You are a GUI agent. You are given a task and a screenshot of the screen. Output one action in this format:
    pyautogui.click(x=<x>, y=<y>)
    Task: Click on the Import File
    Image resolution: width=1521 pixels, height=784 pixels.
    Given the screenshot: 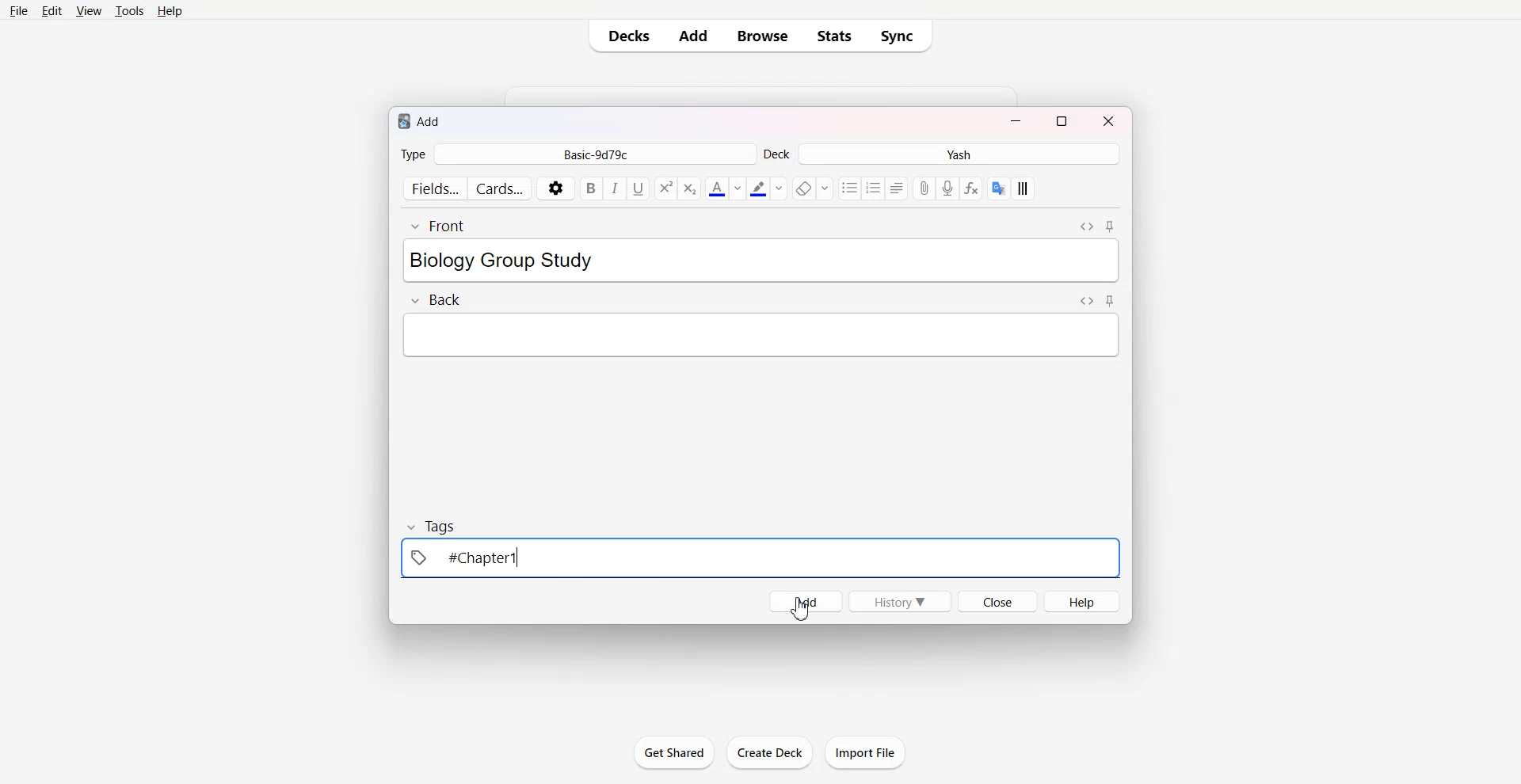 What is the action you would take?
    pyautogui.click(x=866, y=752)
    